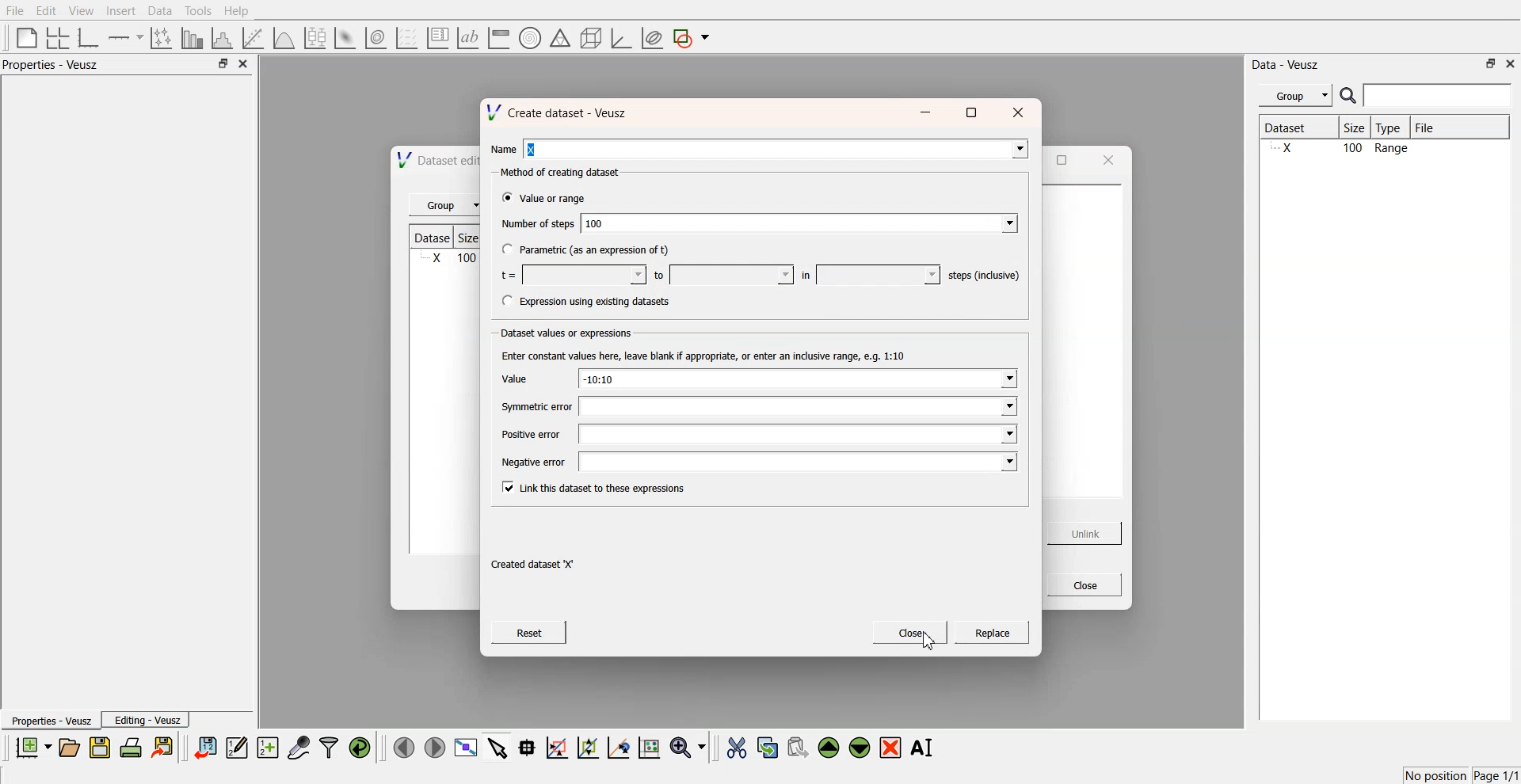 This screenshot has height=784, width=1521. Describe the element at coordinates (32, 747) in the screenshot. I see `new documents` at that location.